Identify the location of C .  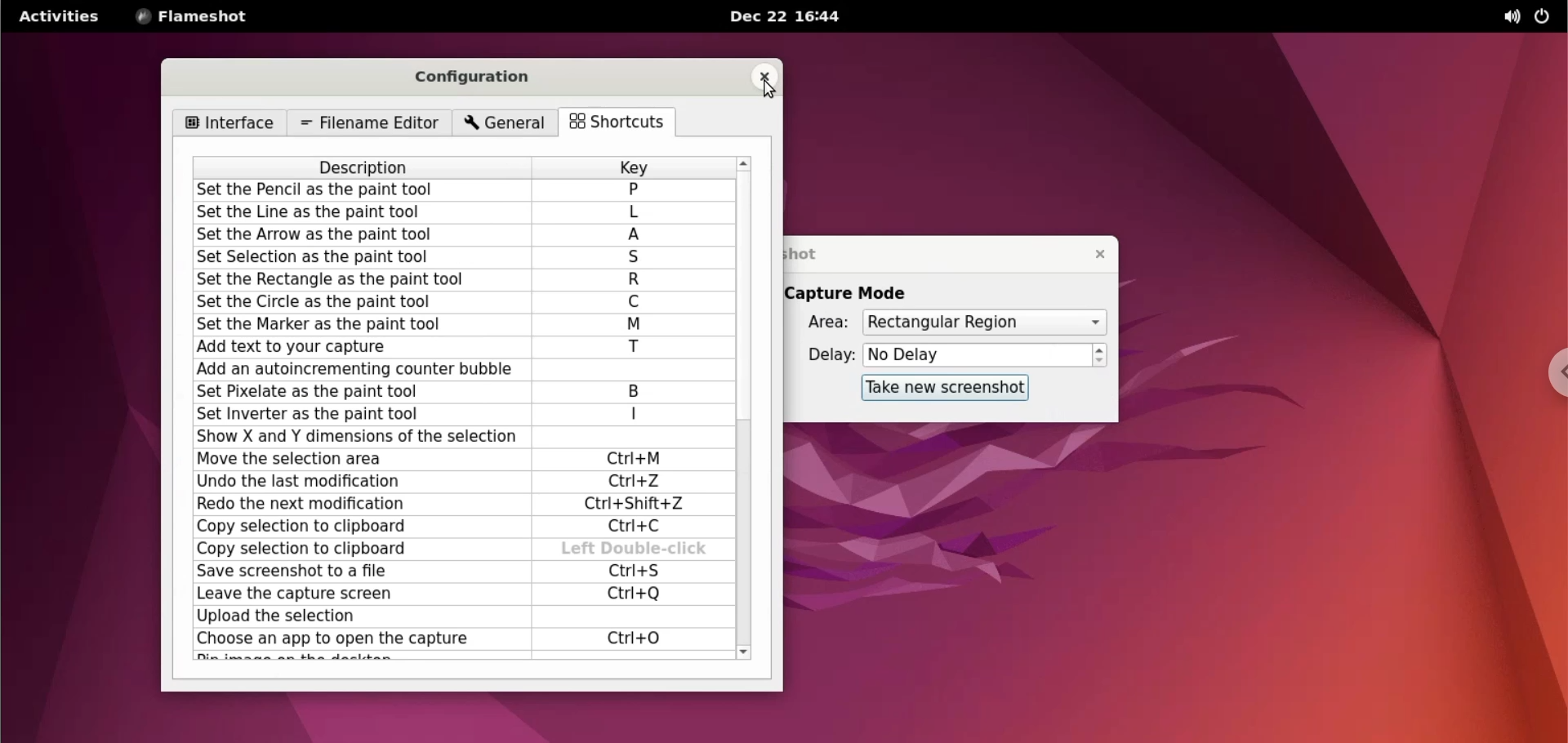
(635, 302).